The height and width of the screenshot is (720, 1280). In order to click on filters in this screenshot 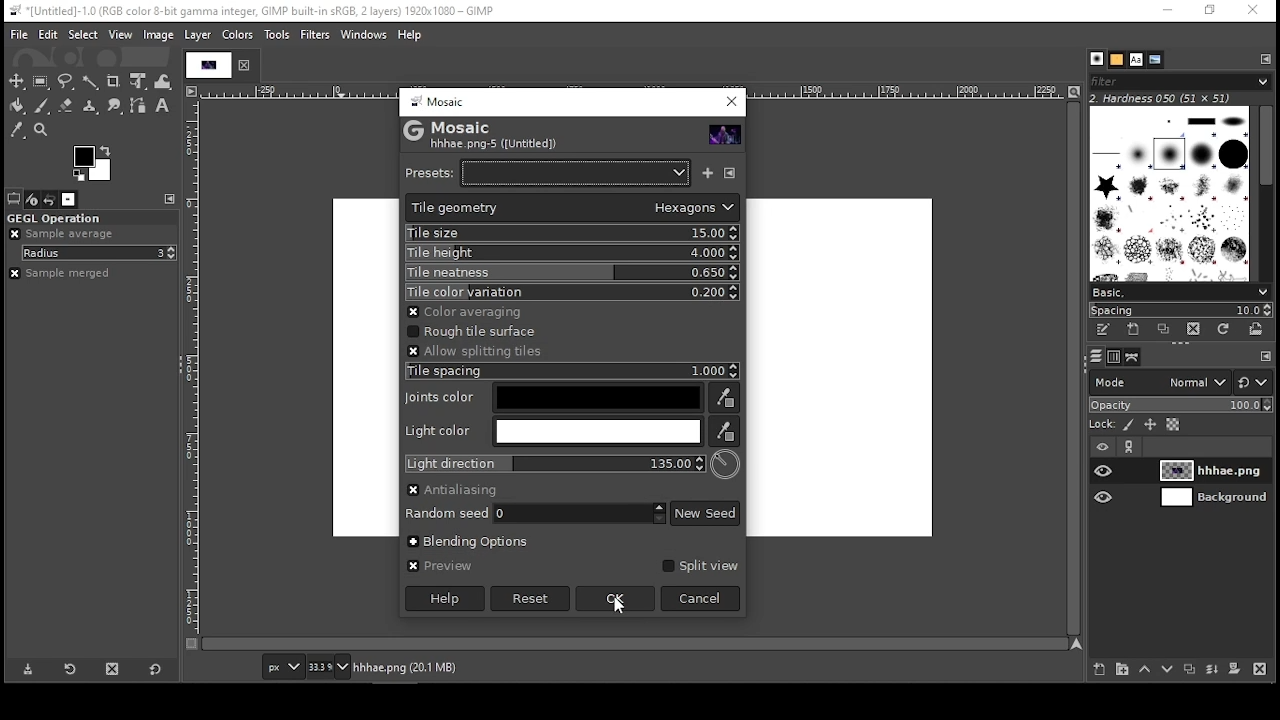, I will do `click(314, 32)`.